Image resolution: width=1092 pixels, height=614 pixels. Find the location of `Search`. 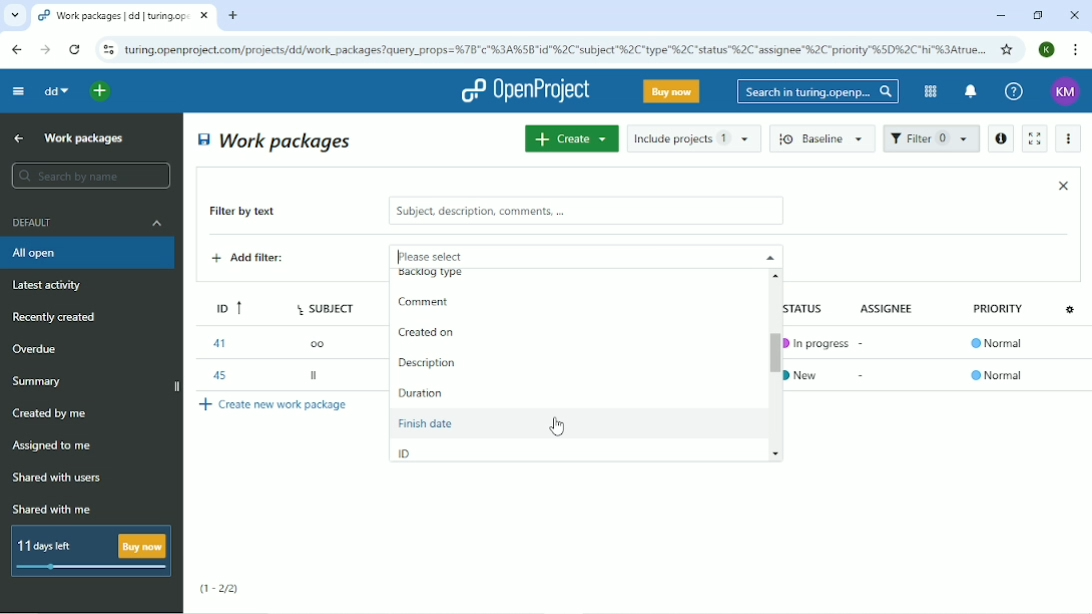

Search is located at coordinates (818, 91).